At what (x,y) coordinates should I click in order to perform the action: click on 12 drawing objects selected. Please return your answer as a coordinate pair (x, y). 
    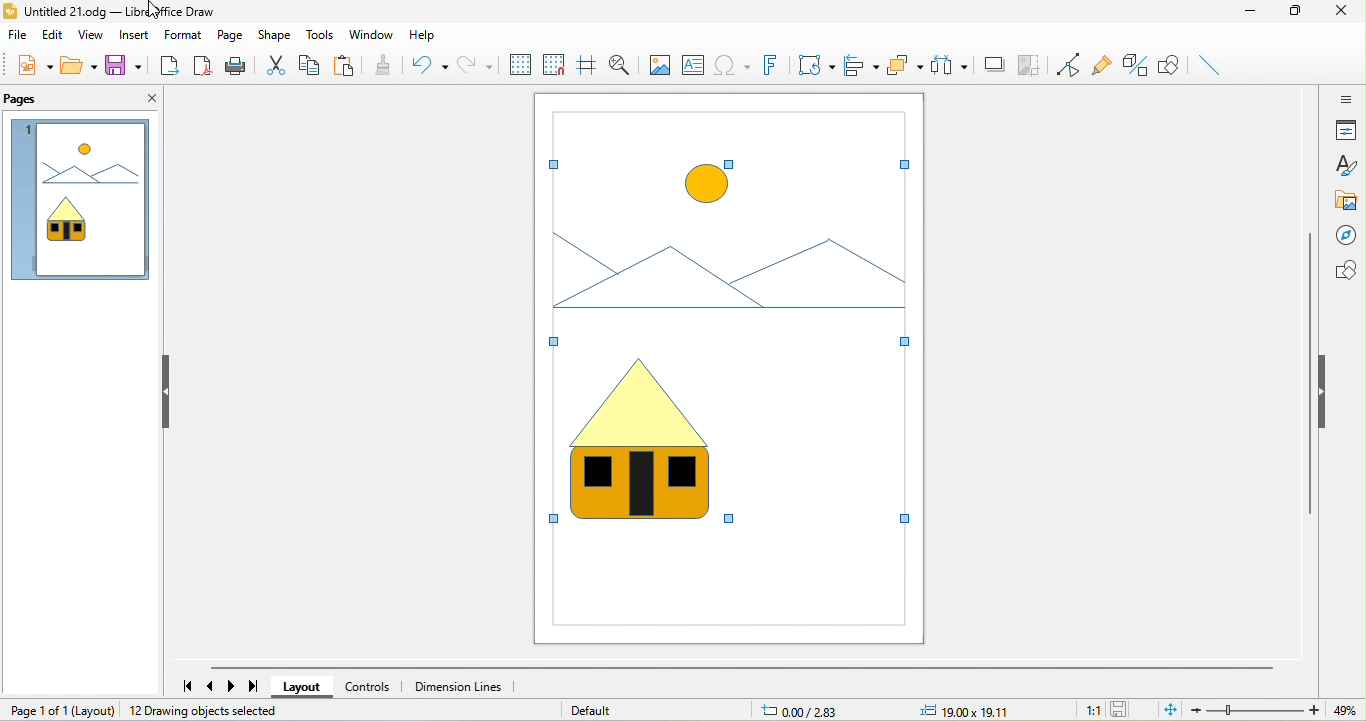
    Looking at the image, I should click on (206, 711).